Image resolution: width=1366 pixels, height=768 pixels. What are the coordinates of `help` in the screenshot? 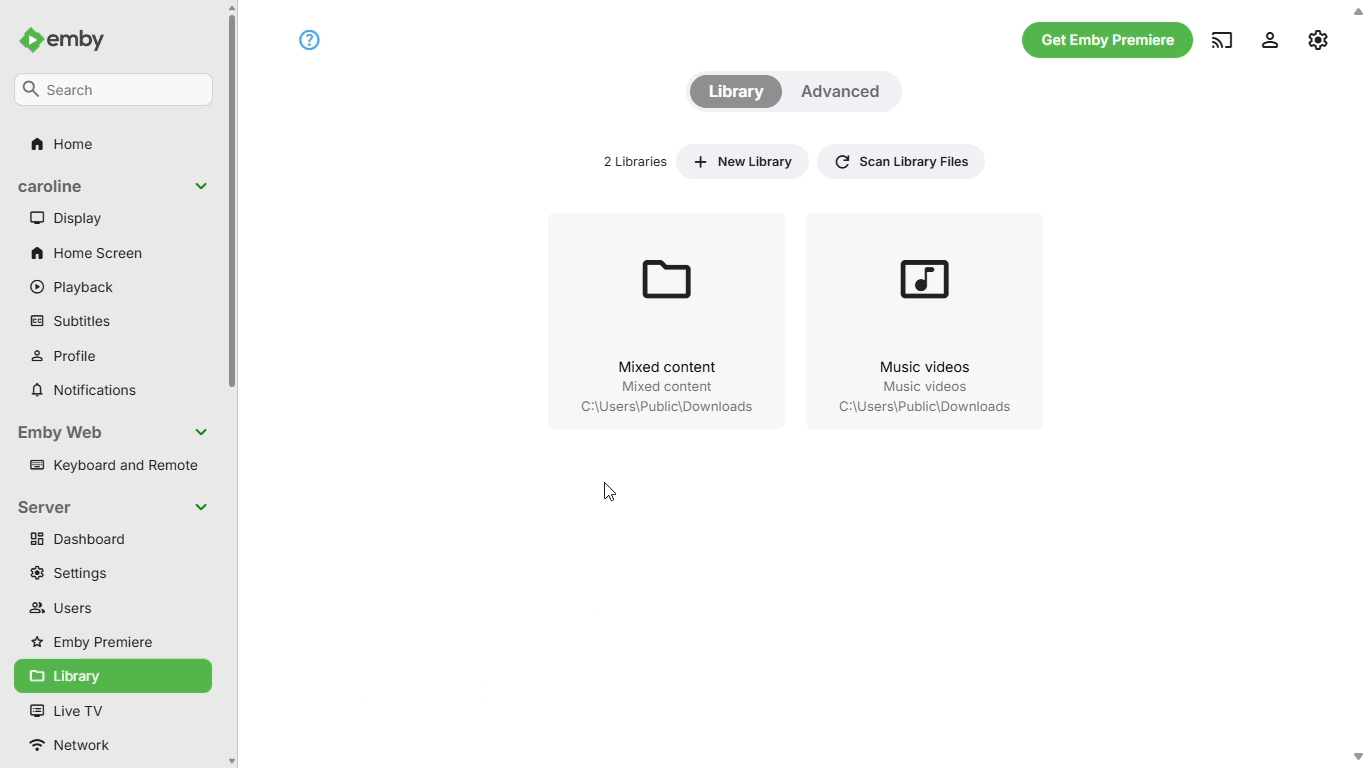 It's located at (311, 39).